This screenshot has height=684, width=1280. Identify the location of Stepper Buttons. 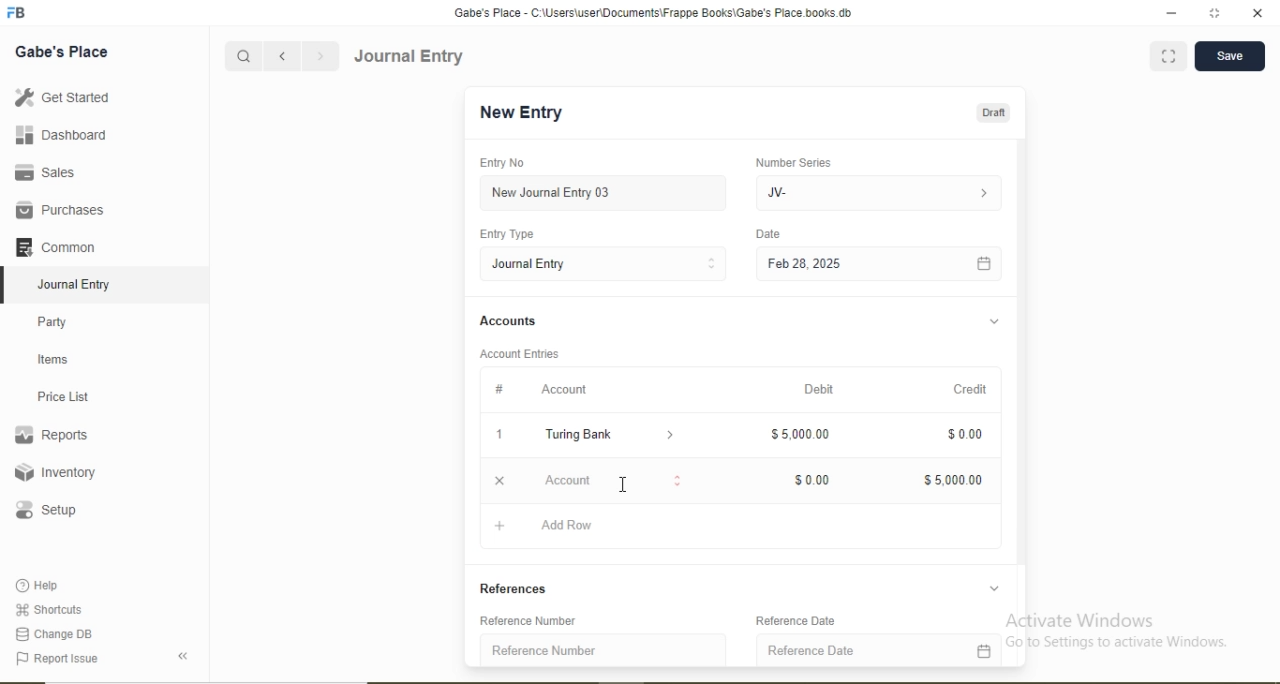
(677, 480).